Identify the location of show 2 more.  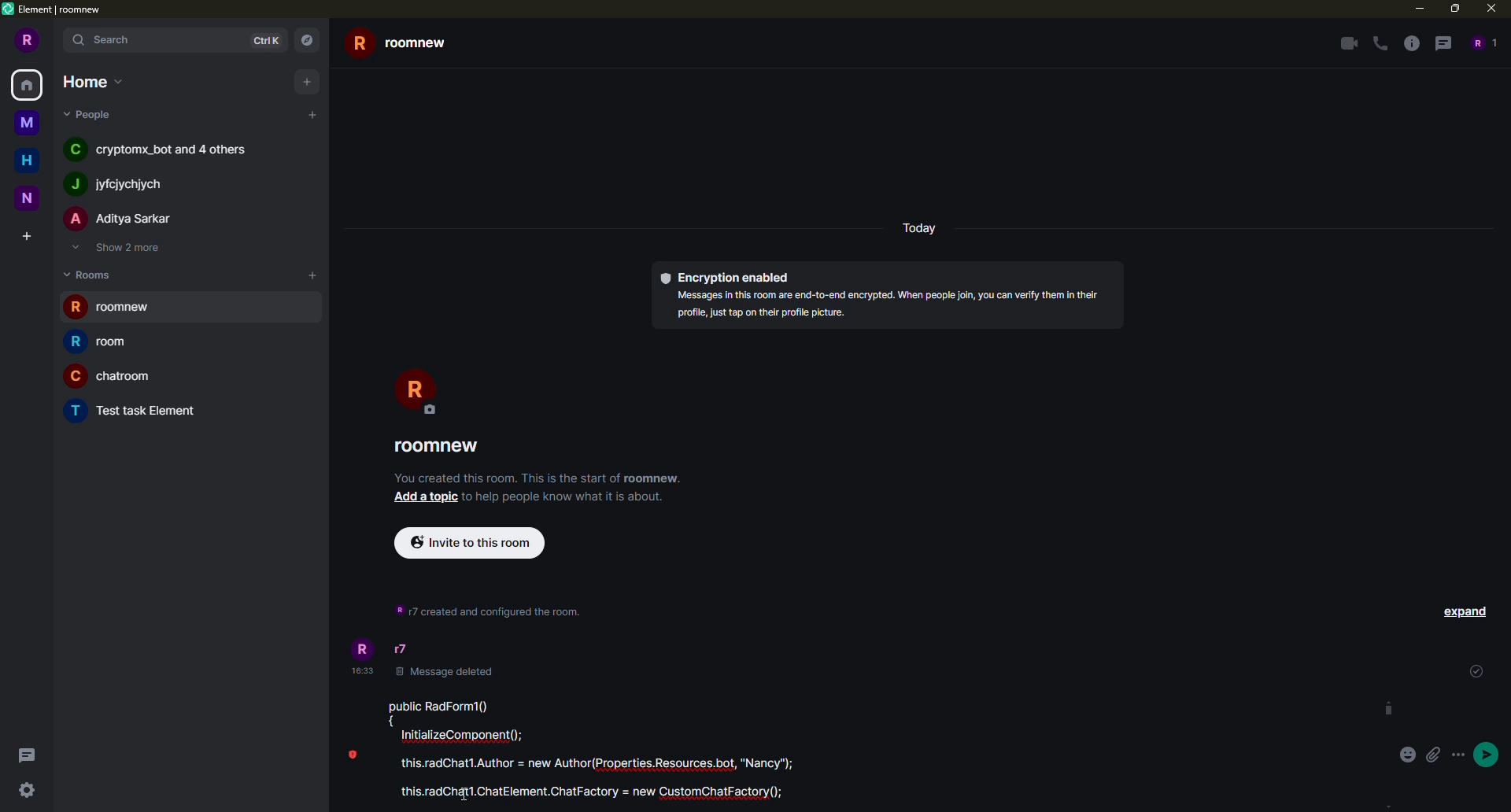
(120, 248).